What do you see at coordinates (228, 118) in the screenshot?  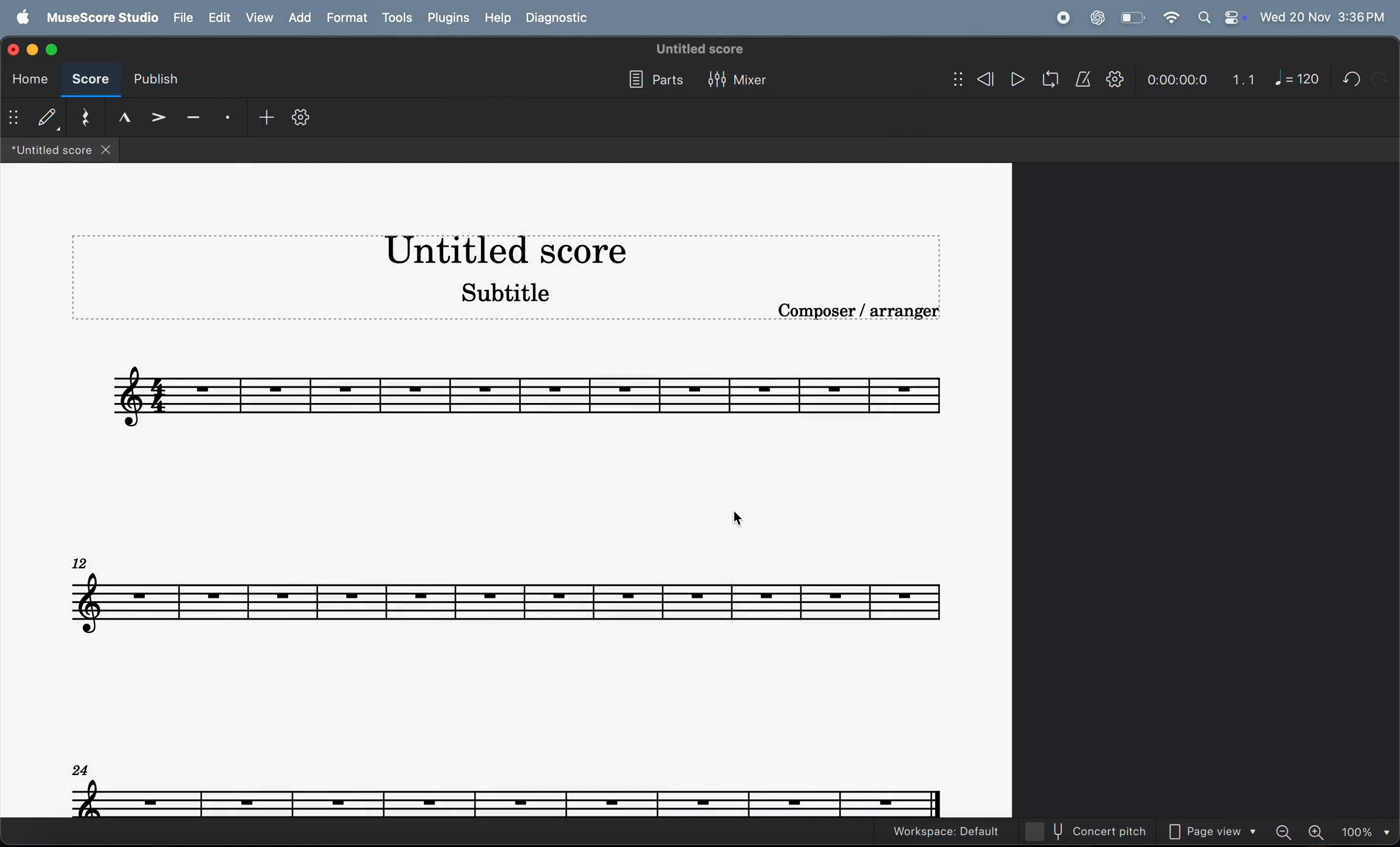 I see `satccato` at bounding box center [228, 118].